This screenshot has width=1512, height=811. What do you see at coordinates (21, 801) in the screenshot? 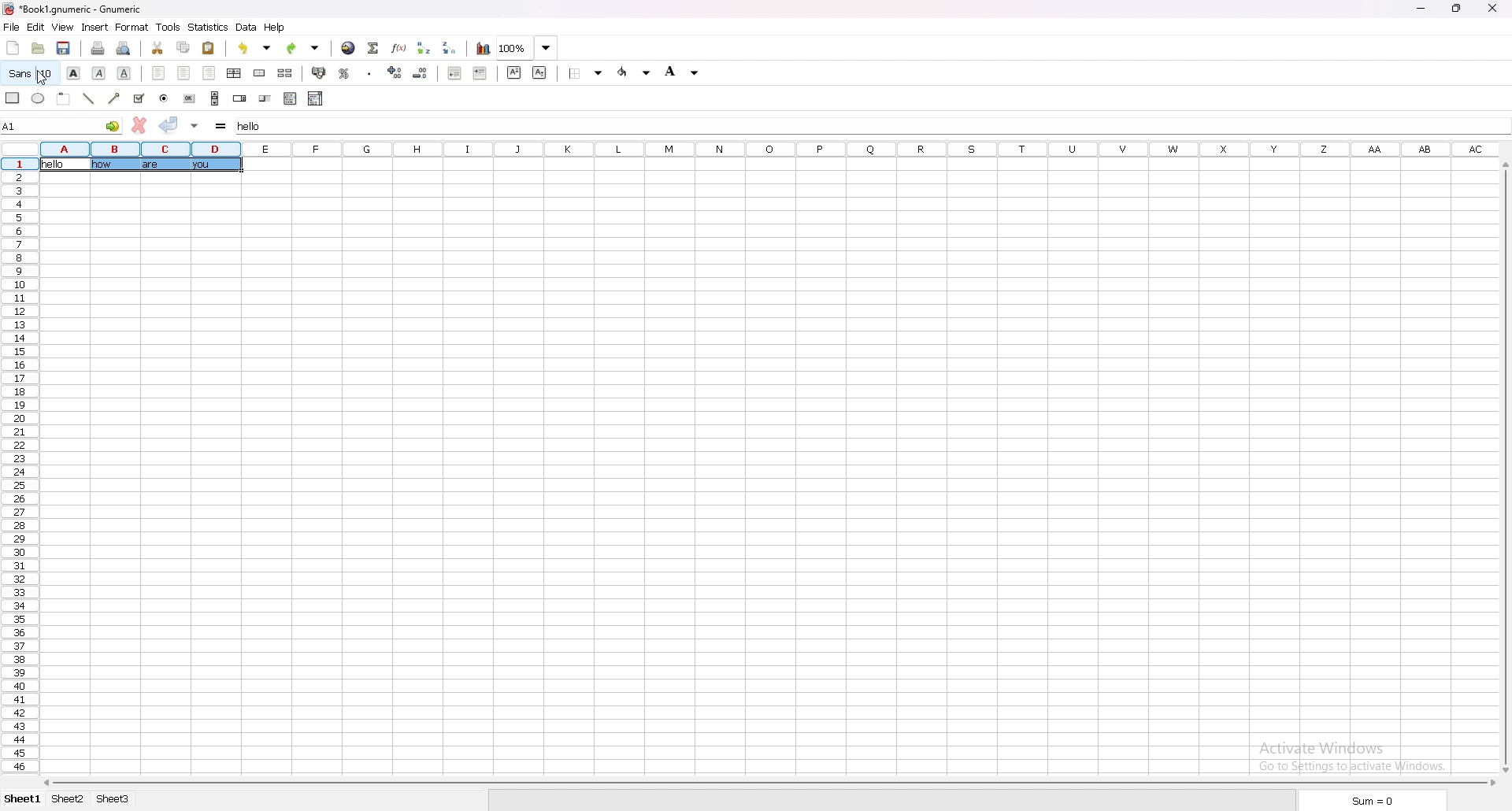
I see `sheet 1` at bounding box center [21, 801].